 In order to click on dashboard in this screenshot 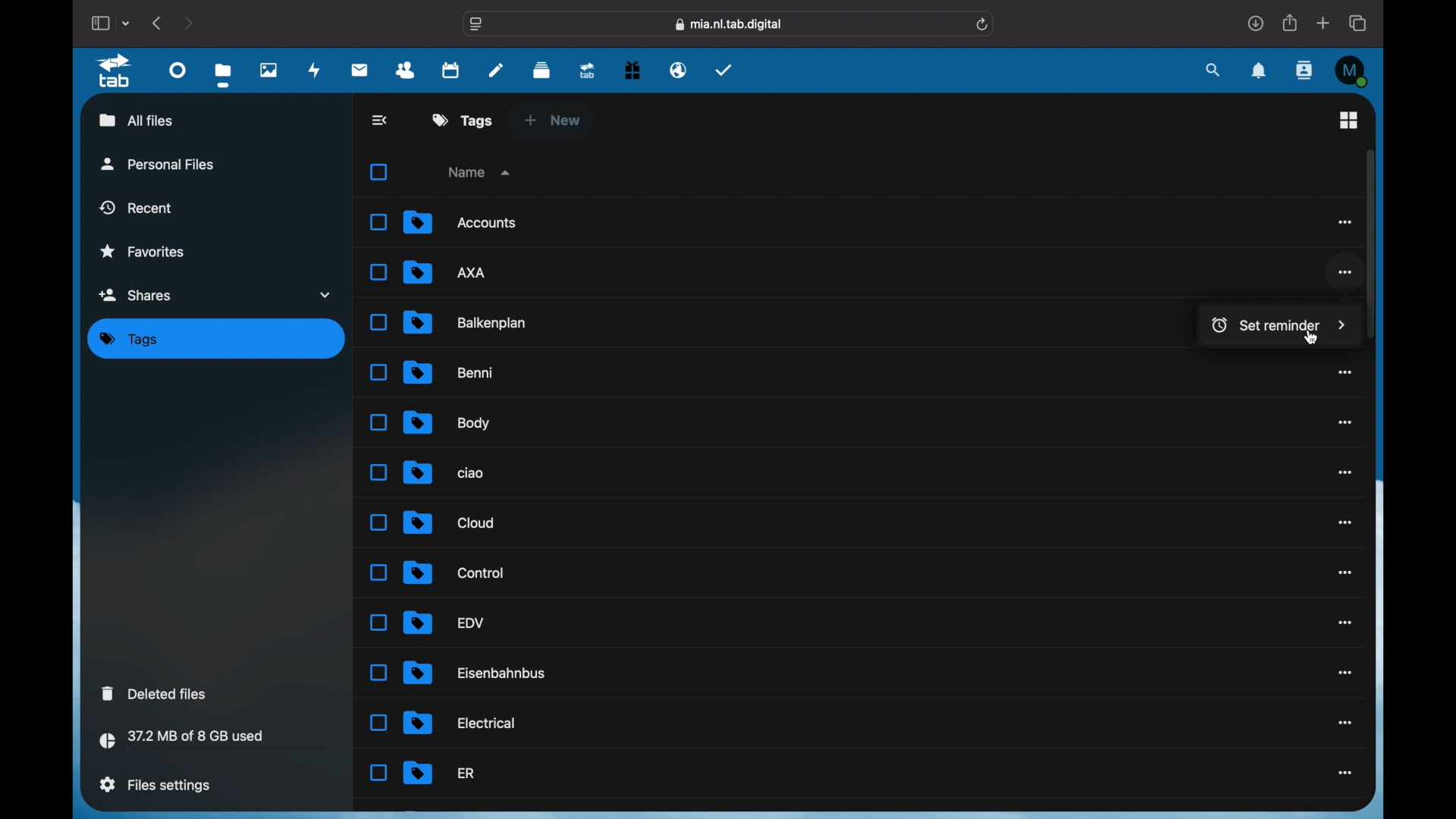, I will do `click(177, 69)`.